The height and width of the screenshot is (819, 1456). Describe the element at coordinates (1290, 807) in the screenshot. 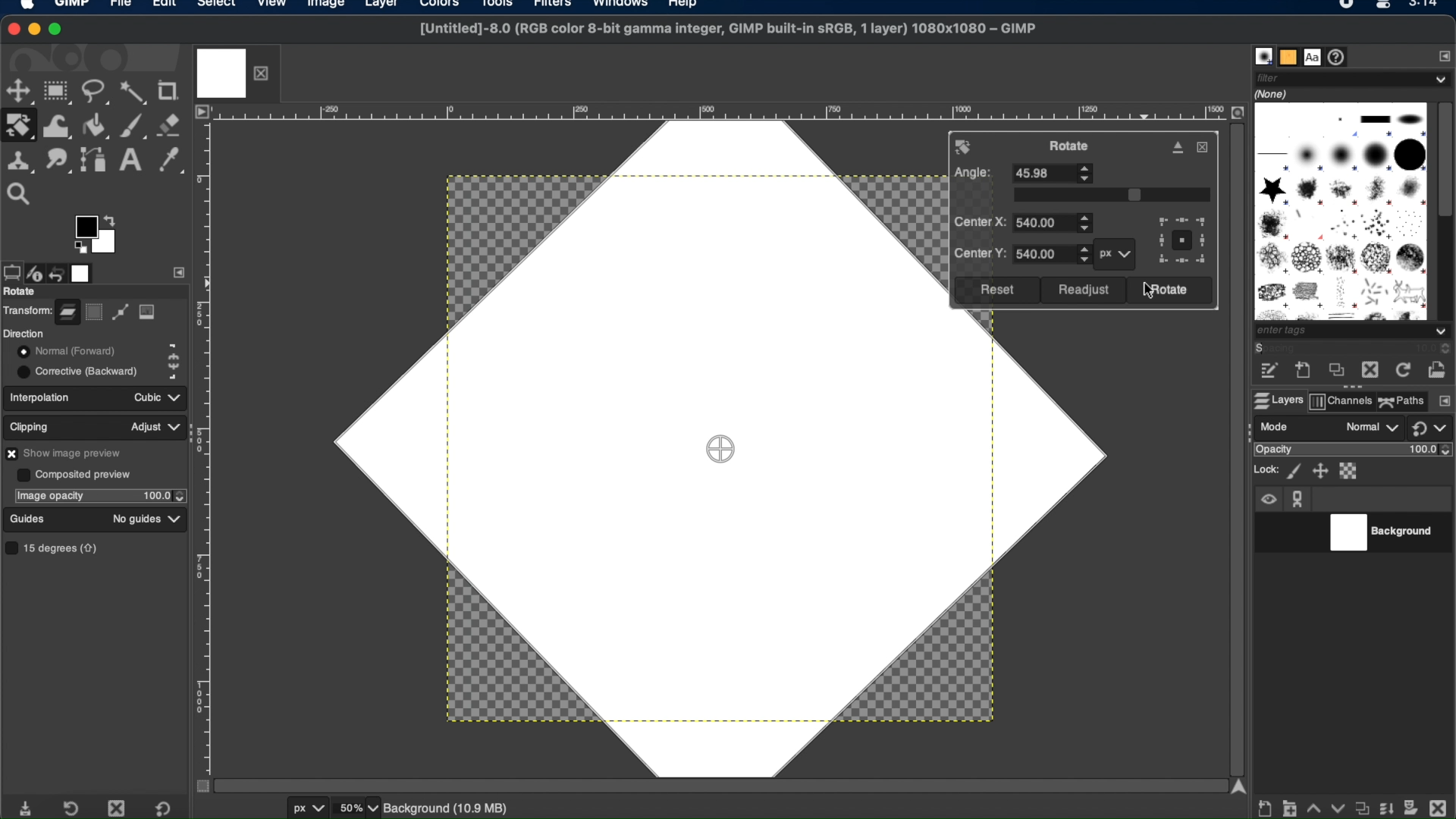

I see `create a new layer group` at that location.